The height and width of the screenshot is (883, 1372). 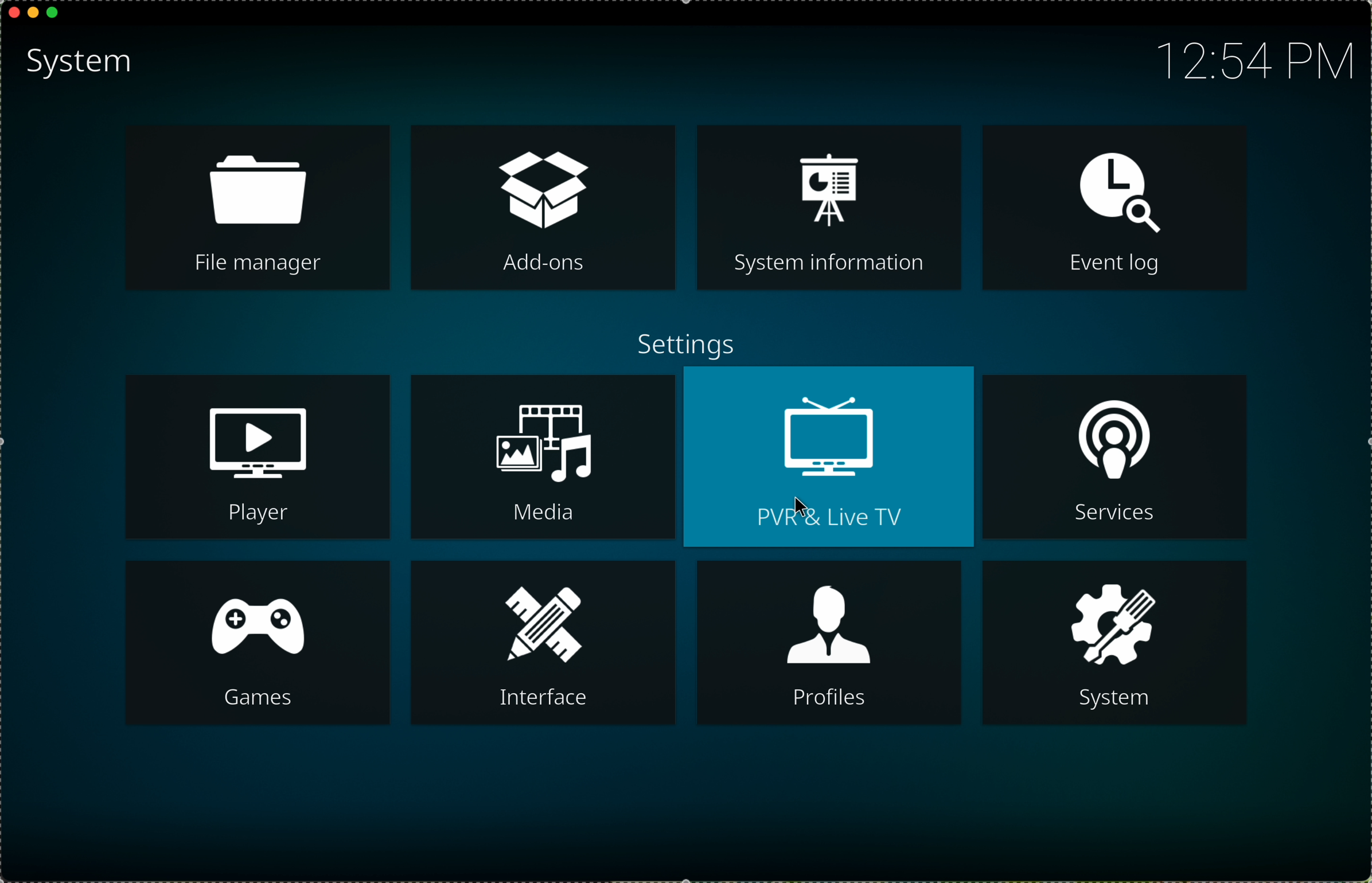 I want to click on games option, so click(x=259, y=643).